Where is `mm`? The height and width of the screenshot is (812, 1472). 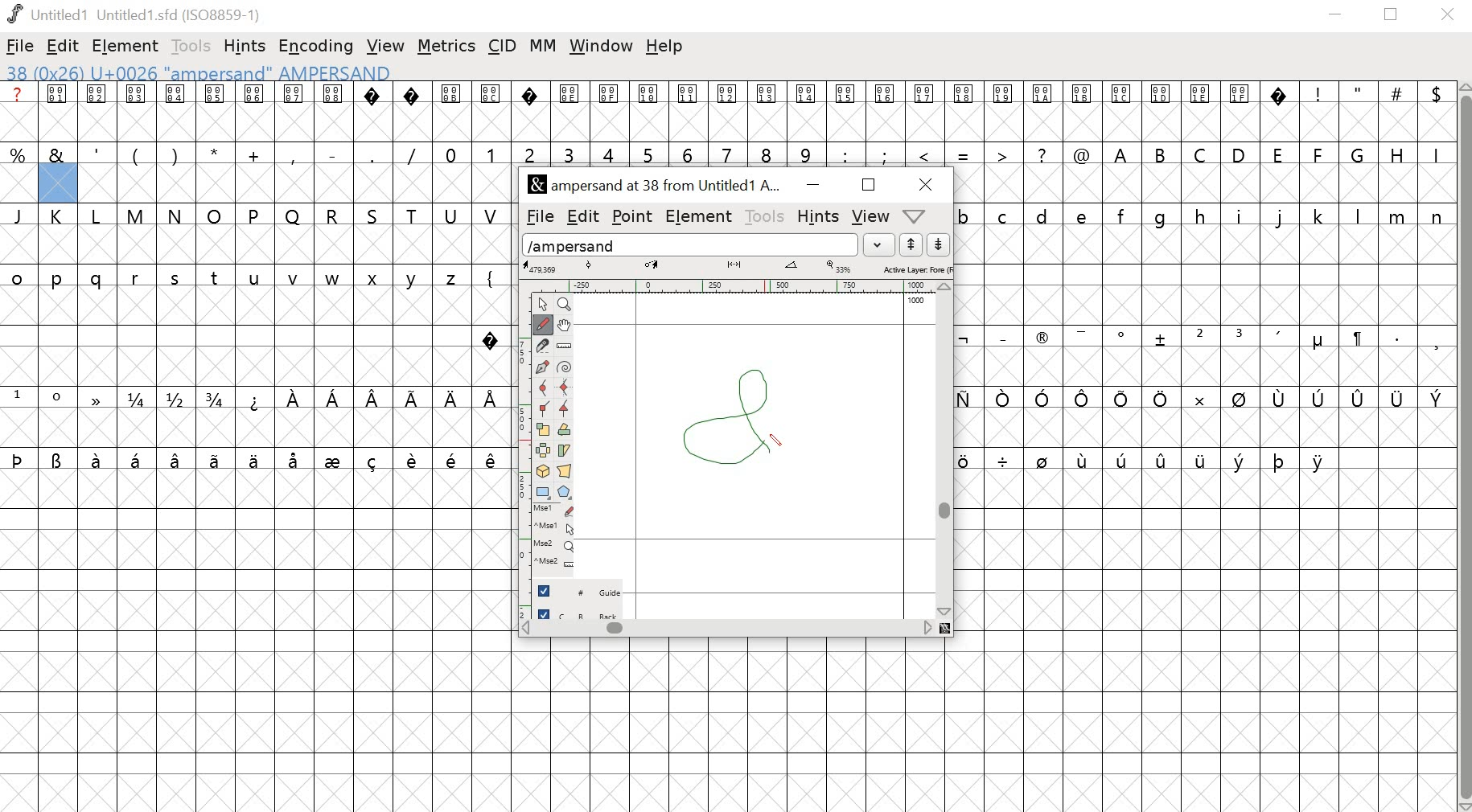 mm is located at coordinates (543, 45).